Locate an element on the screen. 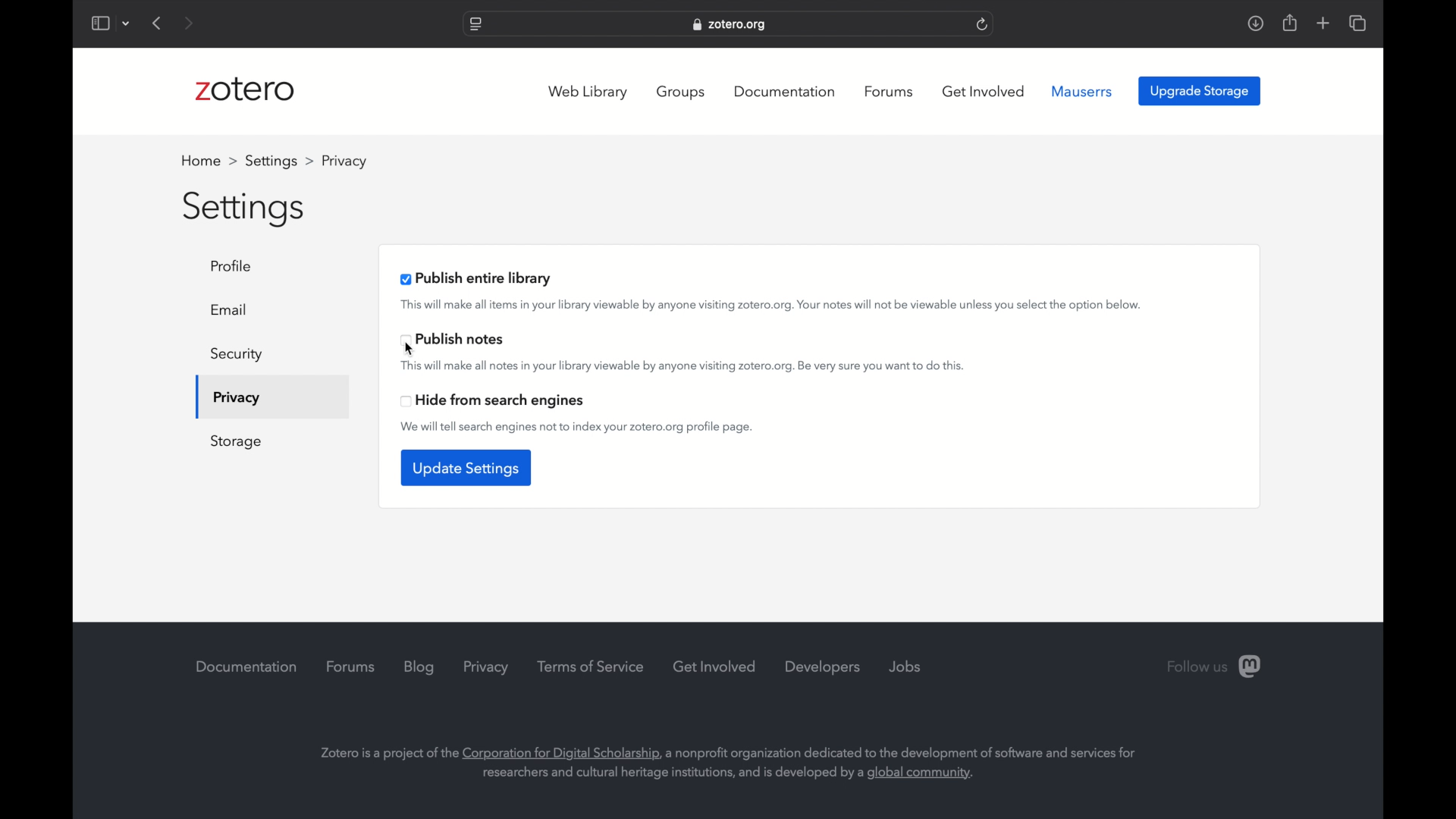 The image size is (1456, 819). privacy is located at coordinates (486, 667).